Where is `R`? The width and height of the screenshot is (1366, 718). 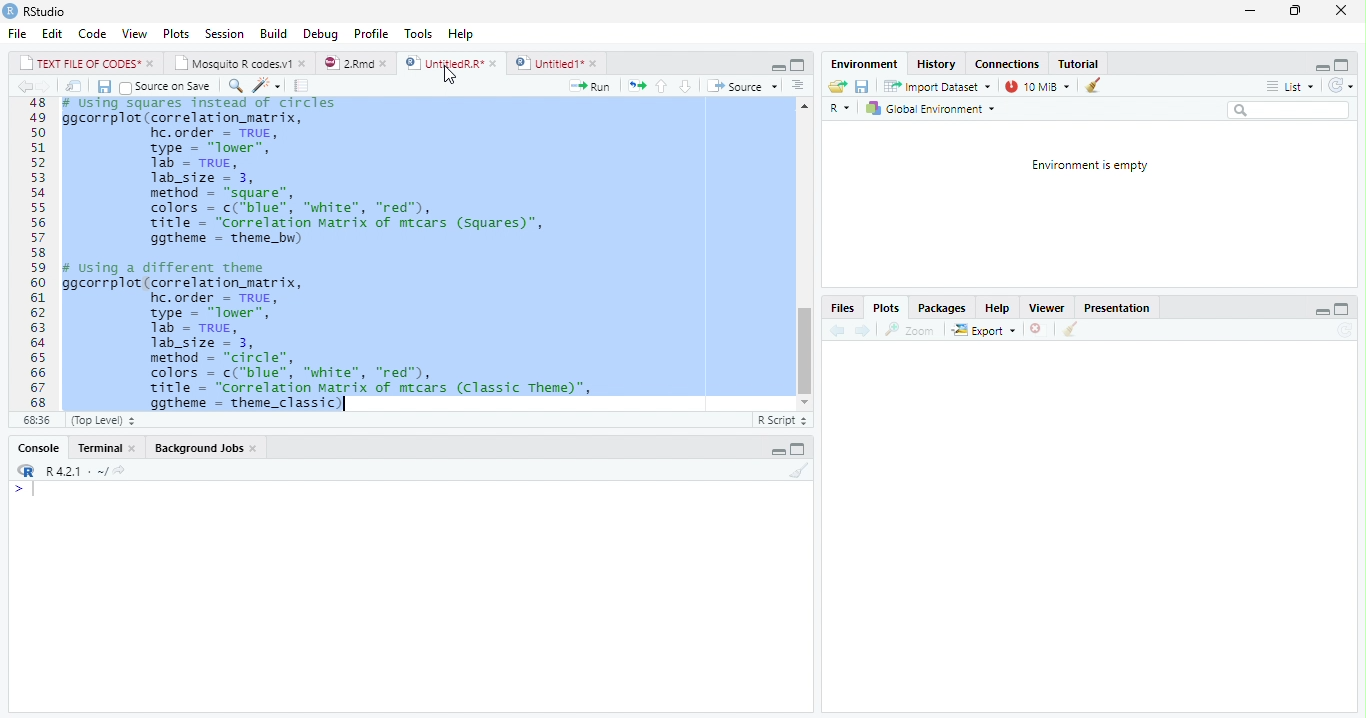 R is located at coordinates (838, 107).